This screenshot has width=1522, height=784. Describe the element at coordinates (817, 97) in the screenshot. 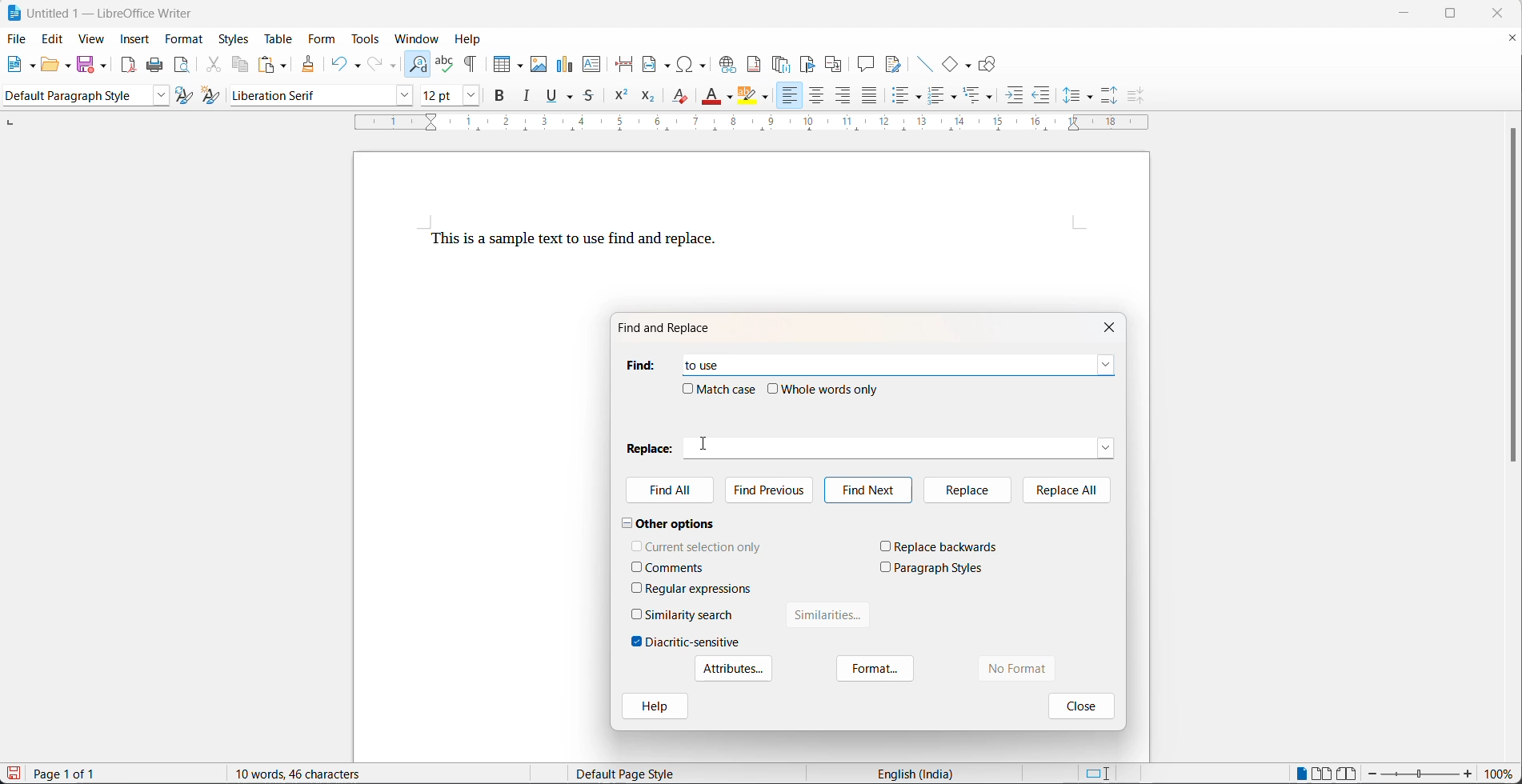

I see `text align center` at that location.